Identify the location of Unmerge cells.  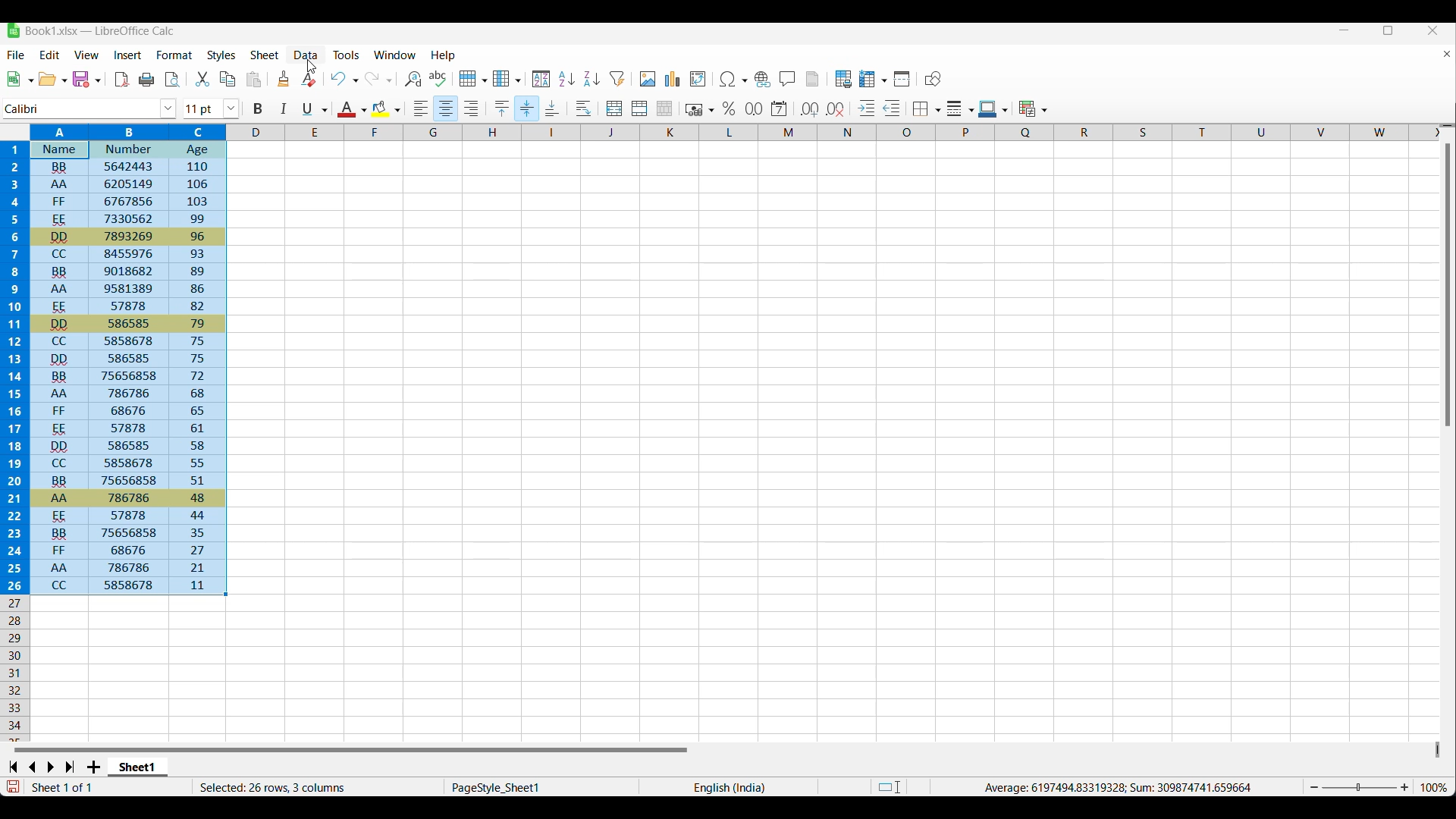
(665, 108).